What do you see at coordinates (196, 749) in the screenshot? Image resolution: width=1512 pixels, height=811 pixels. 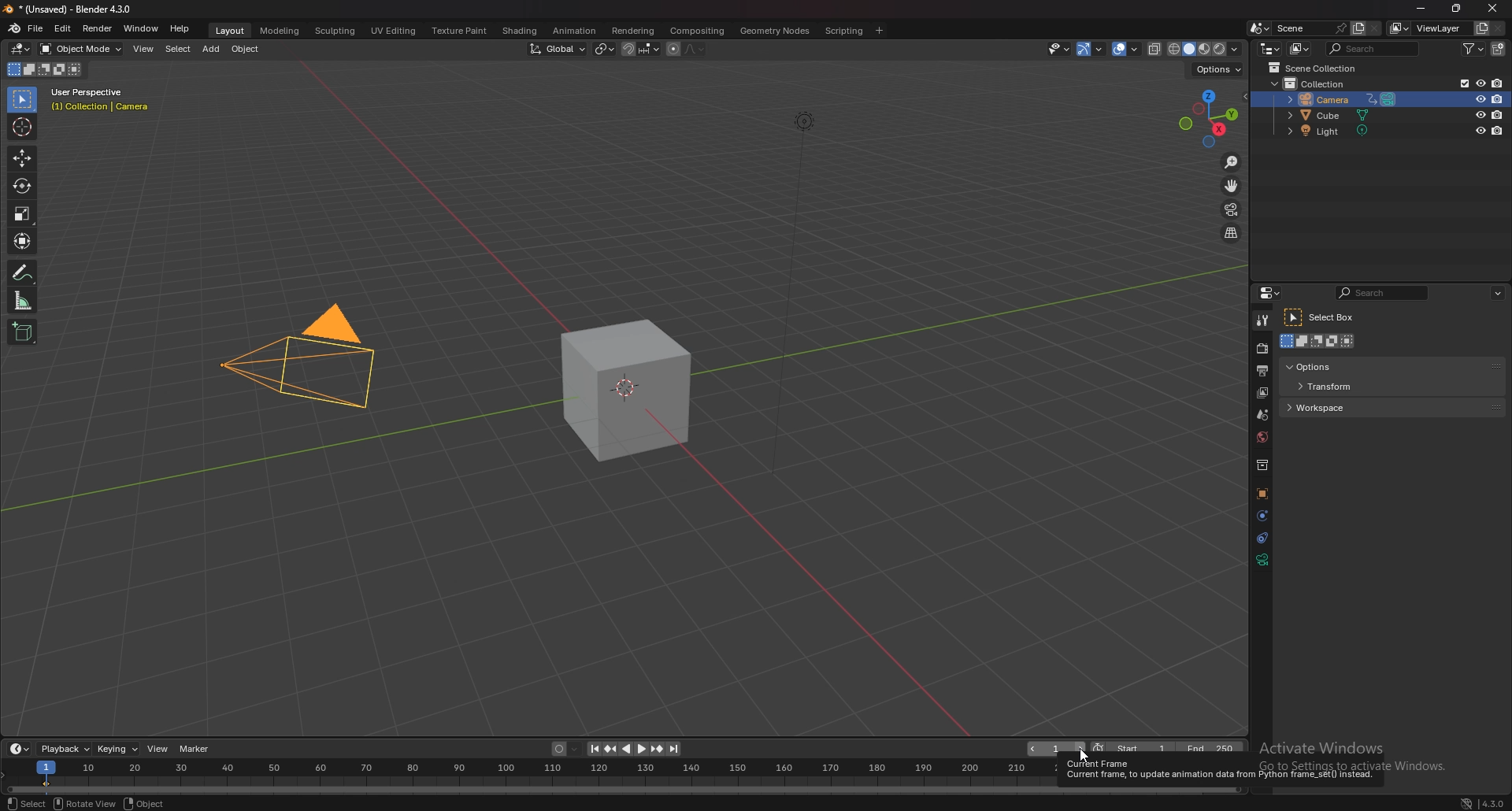 I see `marker` at bounding box center [196, 749].